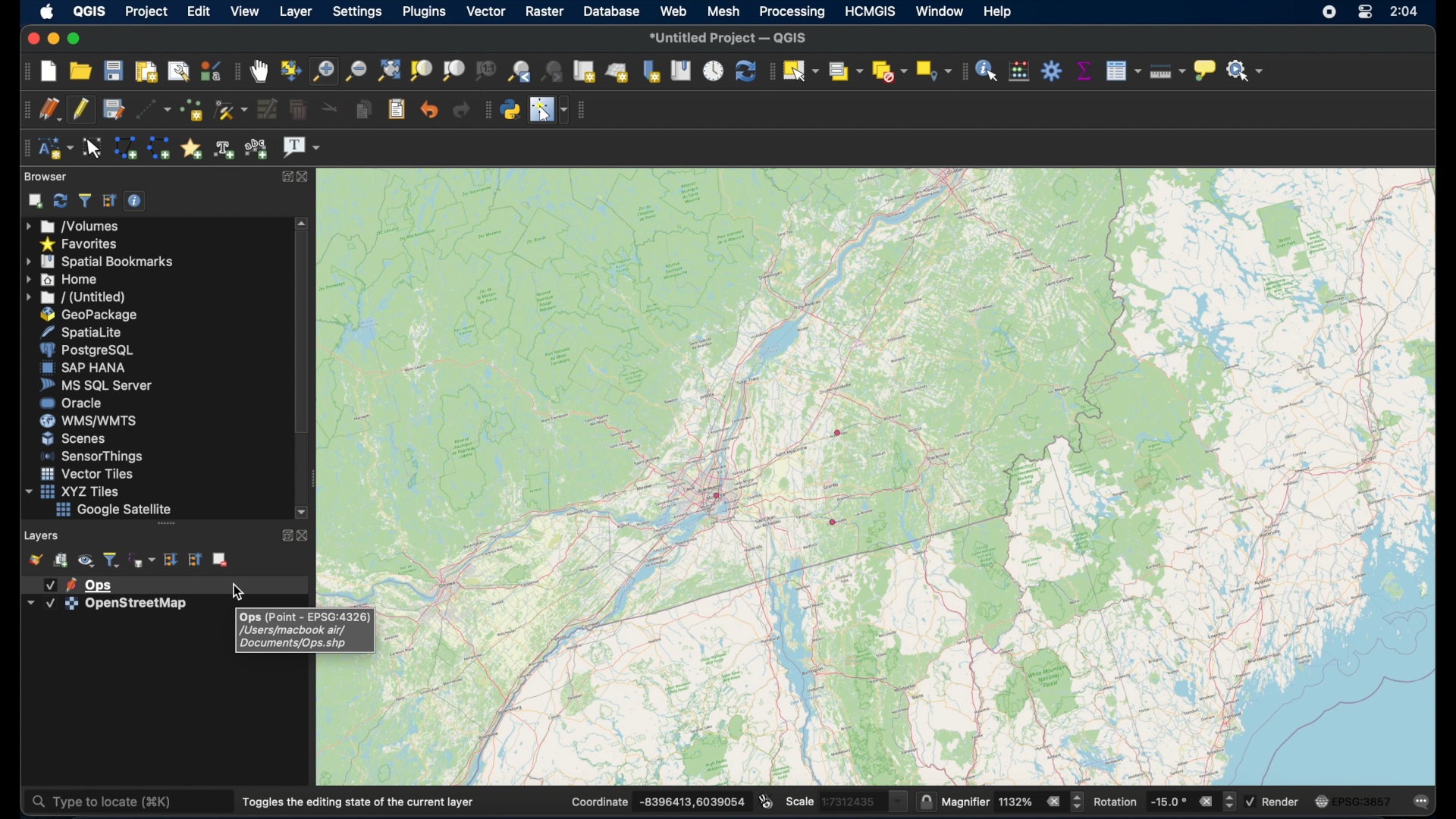  What do you see at coordinates (772, 510) in the screenshot?
I see `open street map` at bounding box center [772, 510].